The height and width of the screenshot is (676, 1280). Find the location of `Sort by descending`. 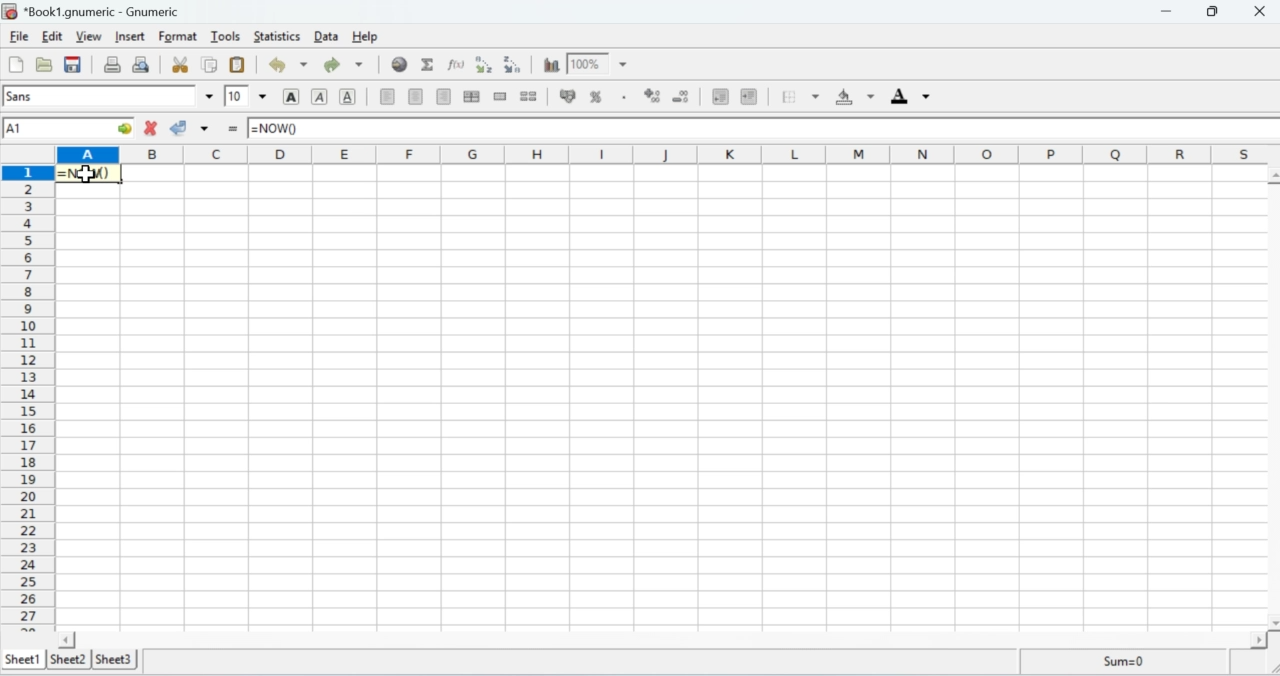

Sort by descending is located at coordinates (515, 65).